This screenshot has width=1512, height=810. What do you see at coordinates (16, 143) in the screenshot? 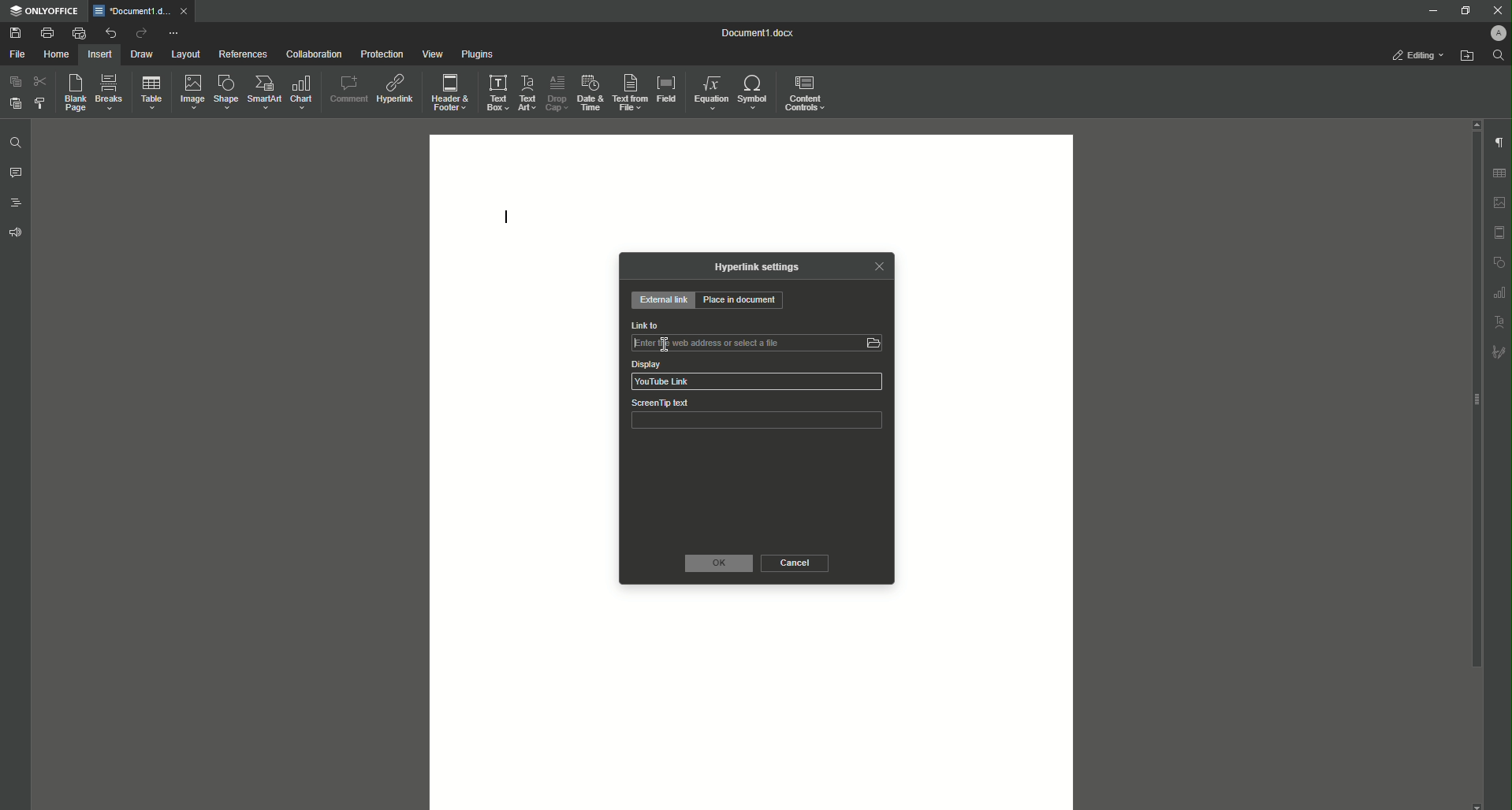
I see `Find` at bounding box center [16, 143].